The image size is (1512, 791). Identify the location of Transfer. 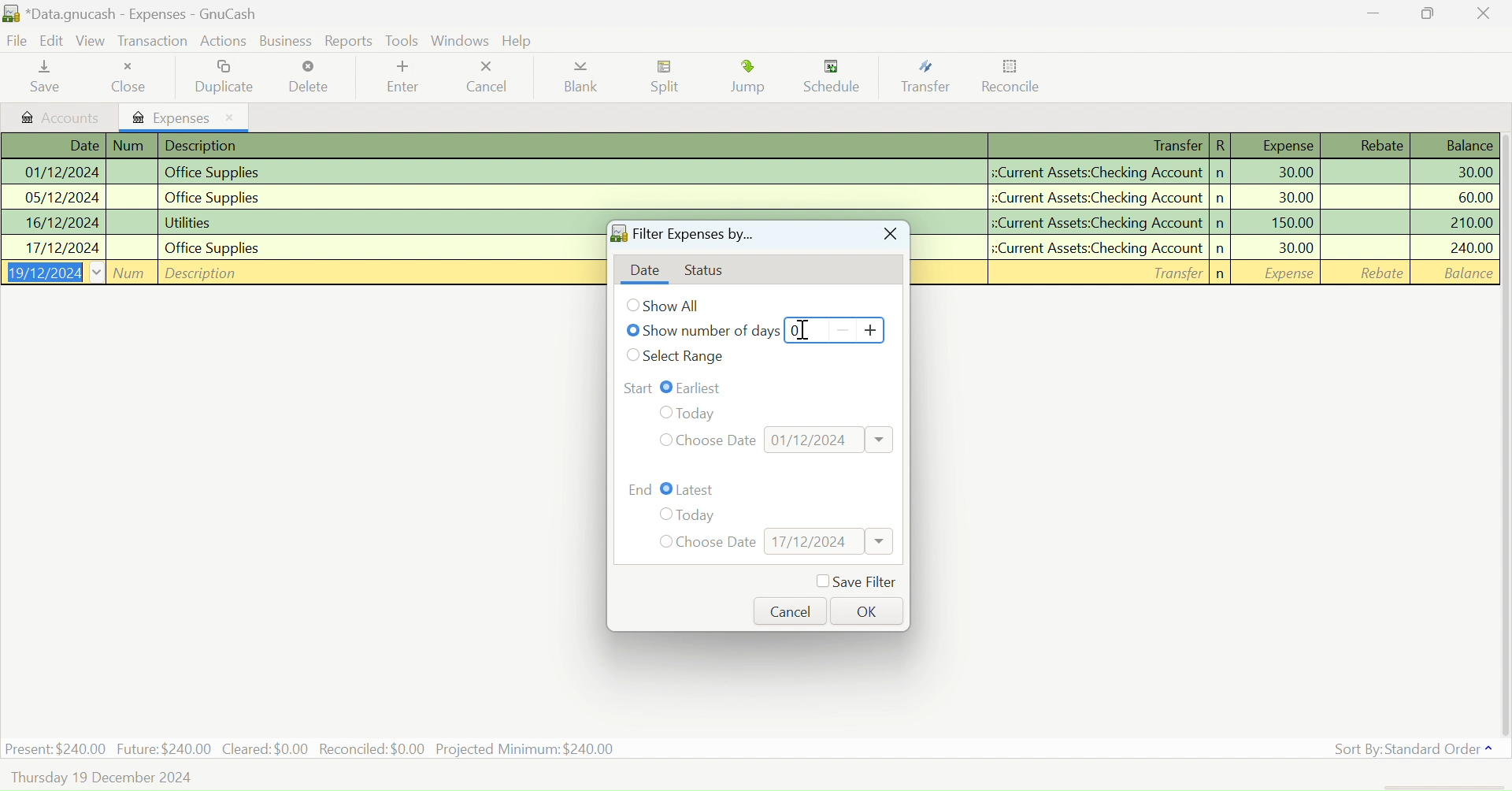
(931, 77).